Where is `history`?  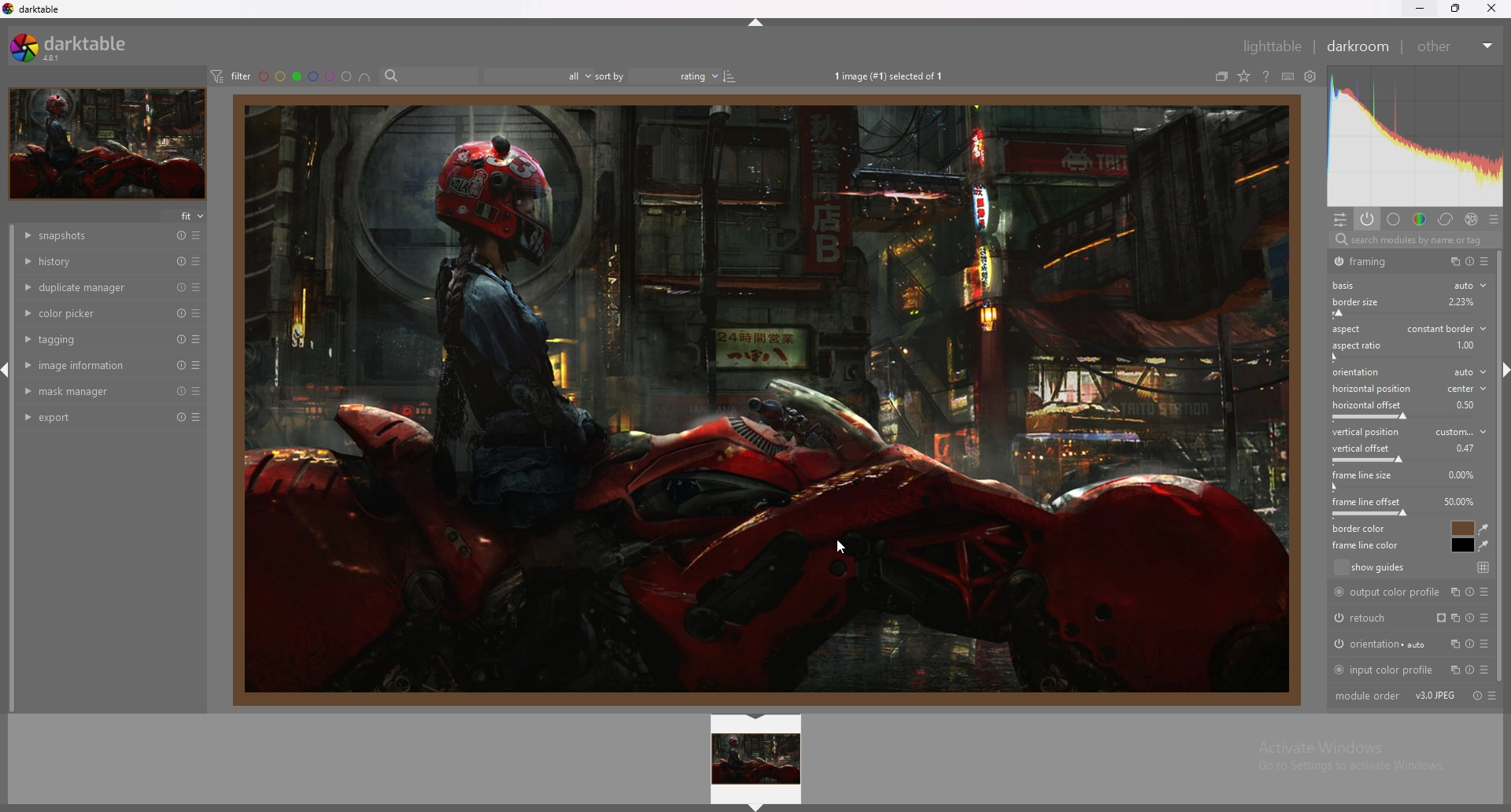 history is located at coordinates (93, 260).